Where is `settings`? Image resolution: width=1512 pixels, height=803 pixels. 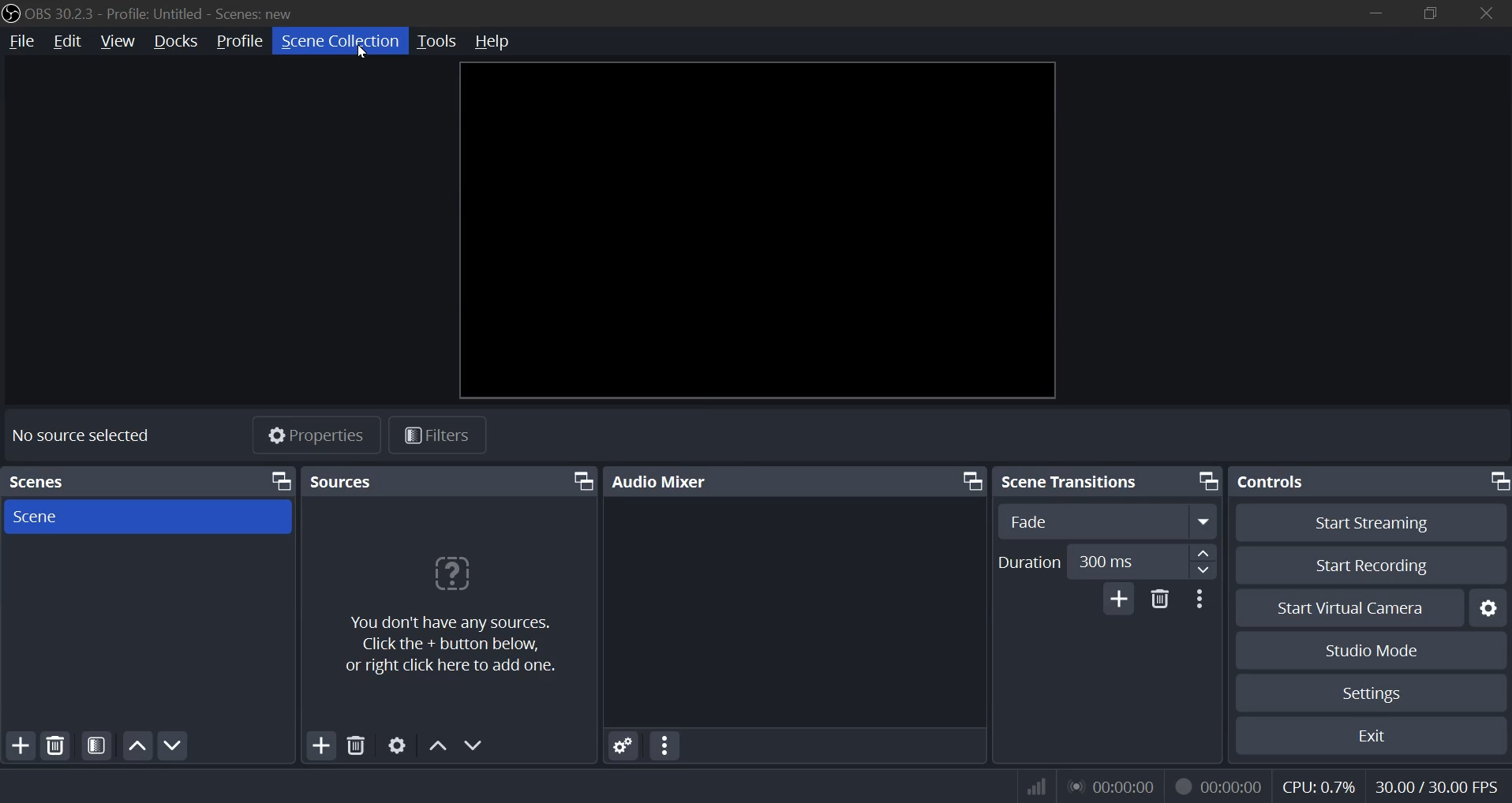
settings is located at coordinates (619, 745).